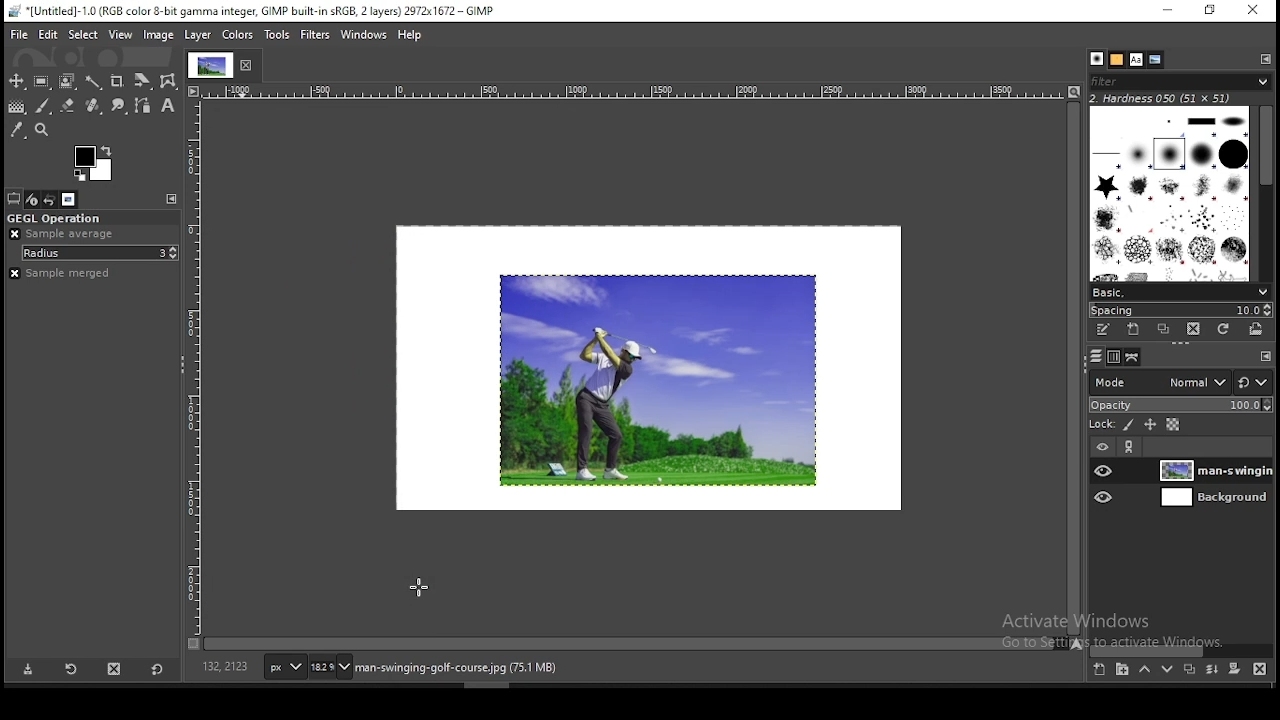 The height and width of the screenshot is (720, 1280). I want to click on brushes filter, so click(1179, 82).